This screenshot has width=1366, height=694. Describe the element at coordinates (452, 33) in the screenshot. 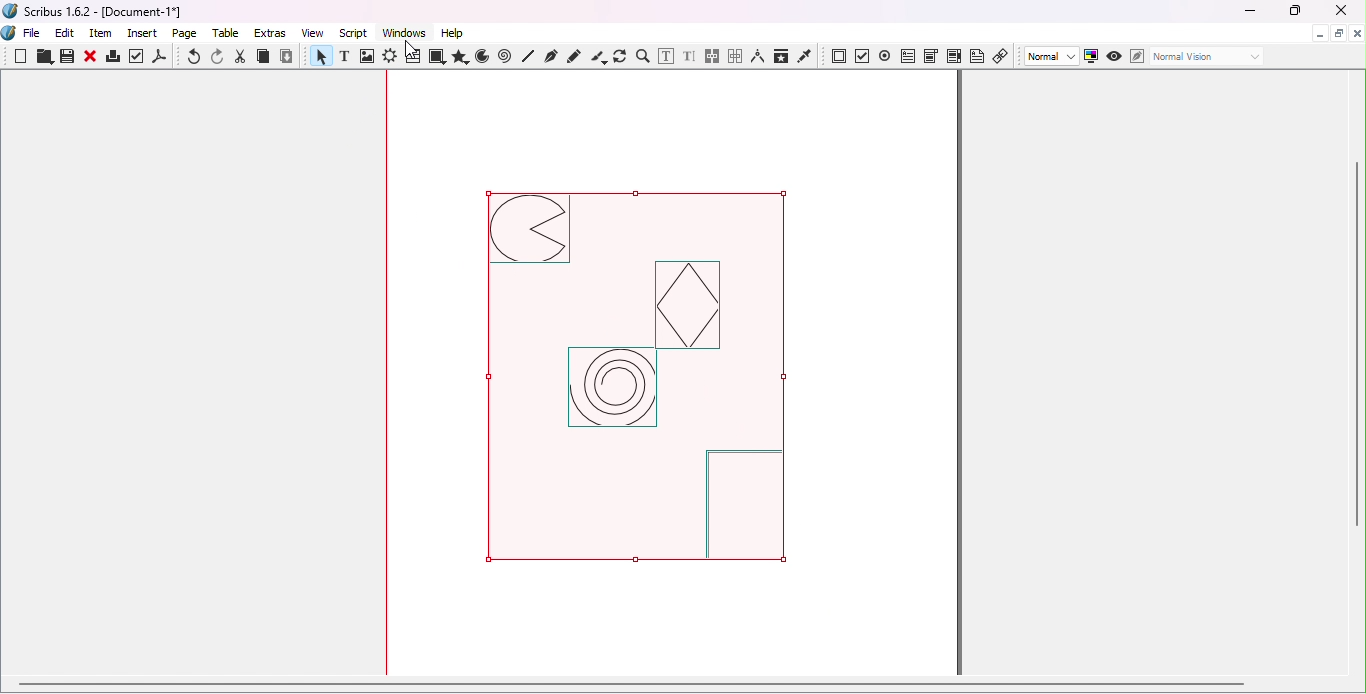

I see `Help` at that location.